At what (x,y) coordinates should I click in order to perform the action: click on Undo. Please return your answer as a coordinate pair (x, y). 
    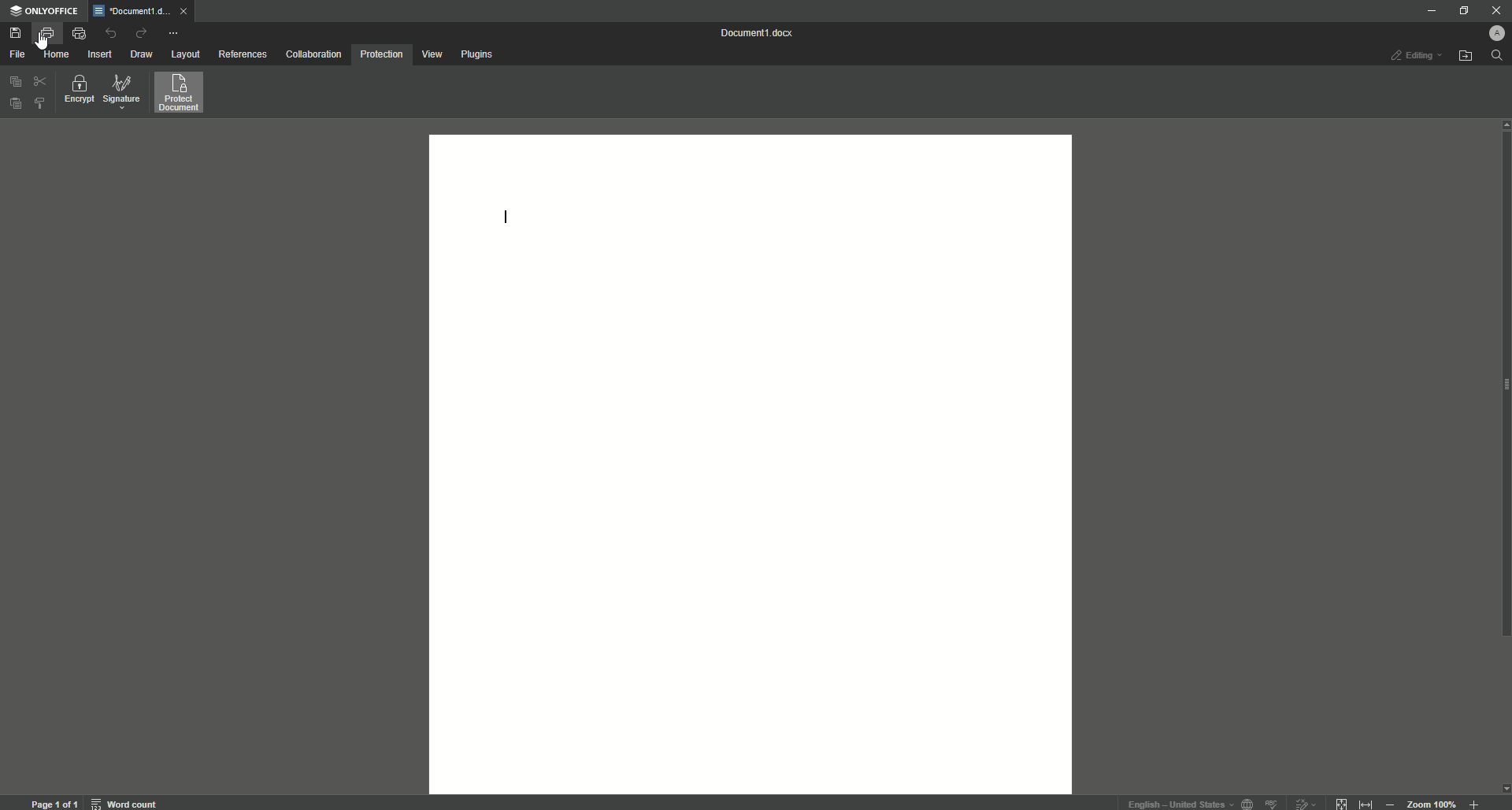
    Looking at the image, I should click on (112, 32).